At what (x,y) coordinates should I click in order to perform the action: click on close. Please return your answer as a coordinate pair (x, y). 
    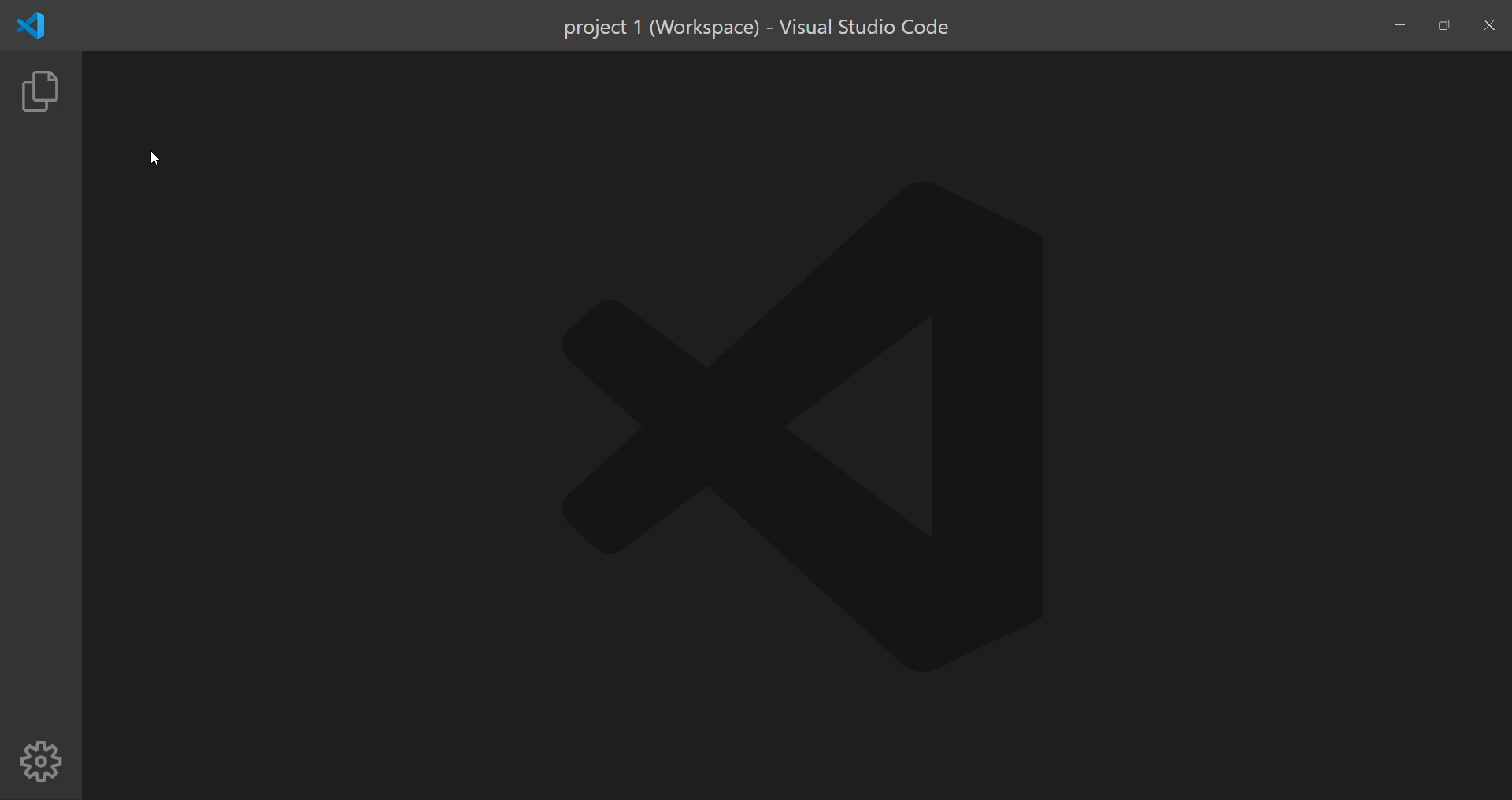
    Looking at the image, I should click on (1492, 27).